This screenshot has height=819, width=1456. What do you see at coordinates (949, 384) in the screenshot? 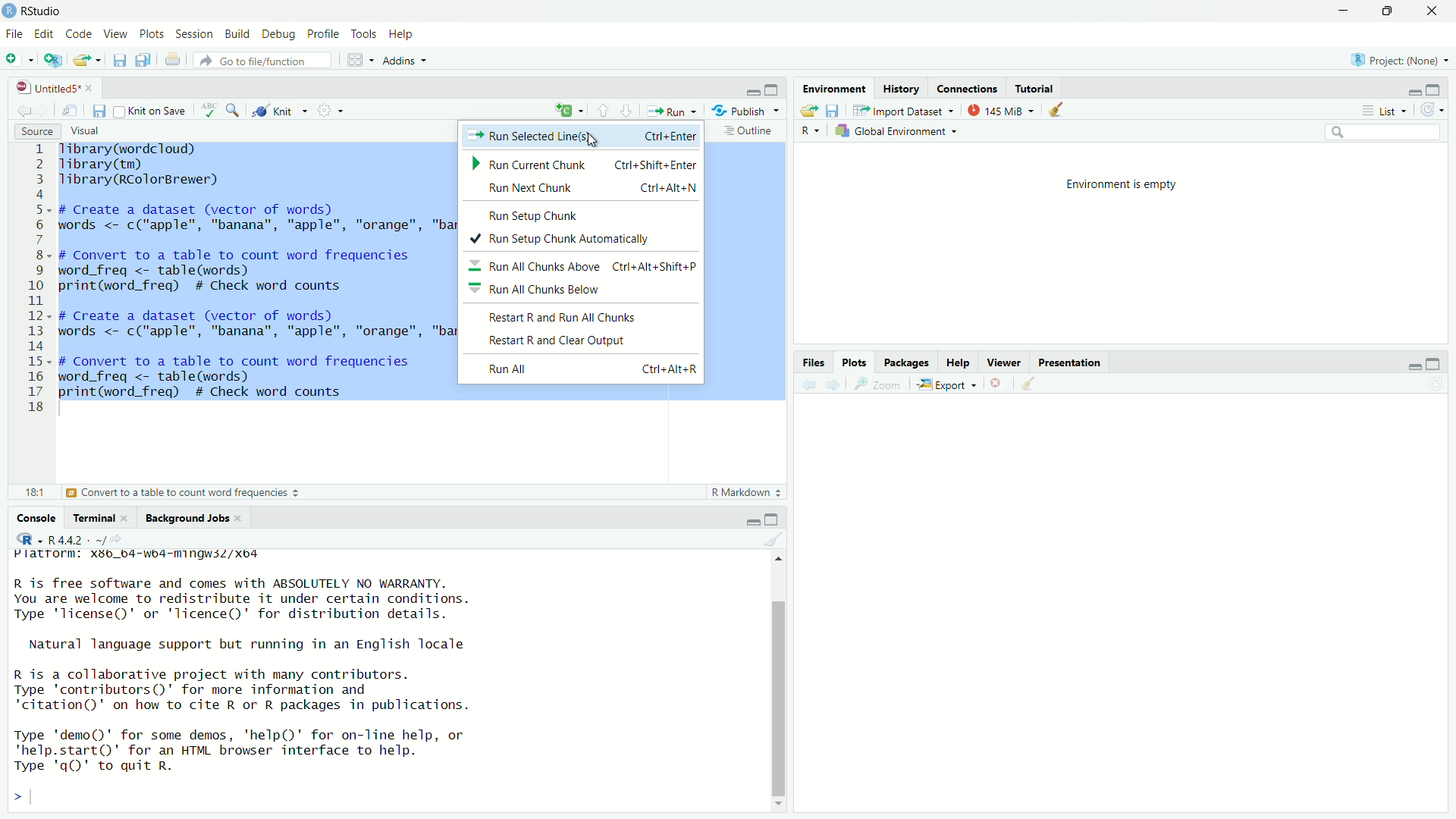
I see `Export` at bounding box center [949, 384].